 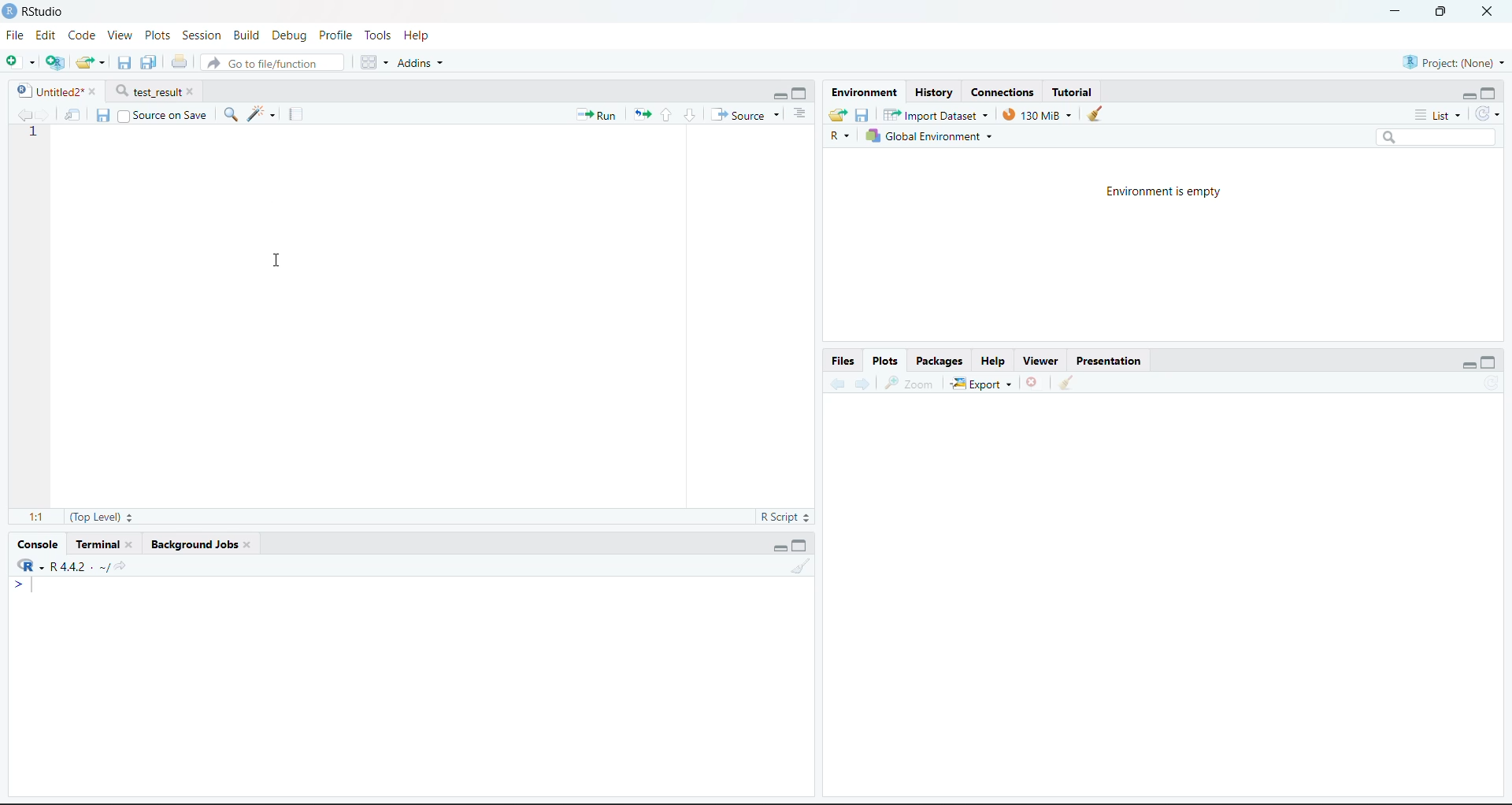 I want to click on Code, so click(x=80, y=35).